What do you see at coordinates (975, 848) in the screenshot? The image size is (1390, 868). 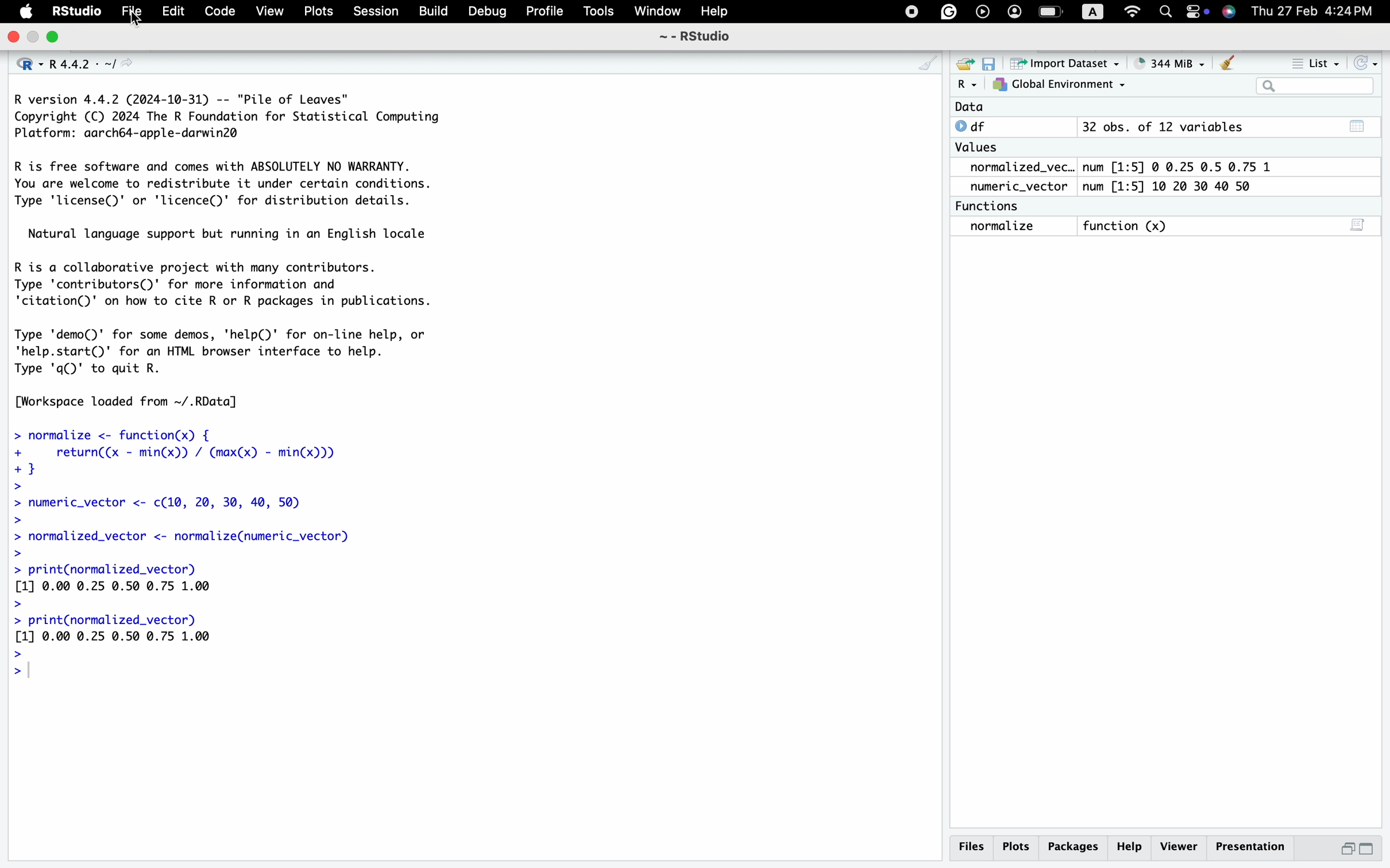 I see `Files` at bounding box center [975, 848].